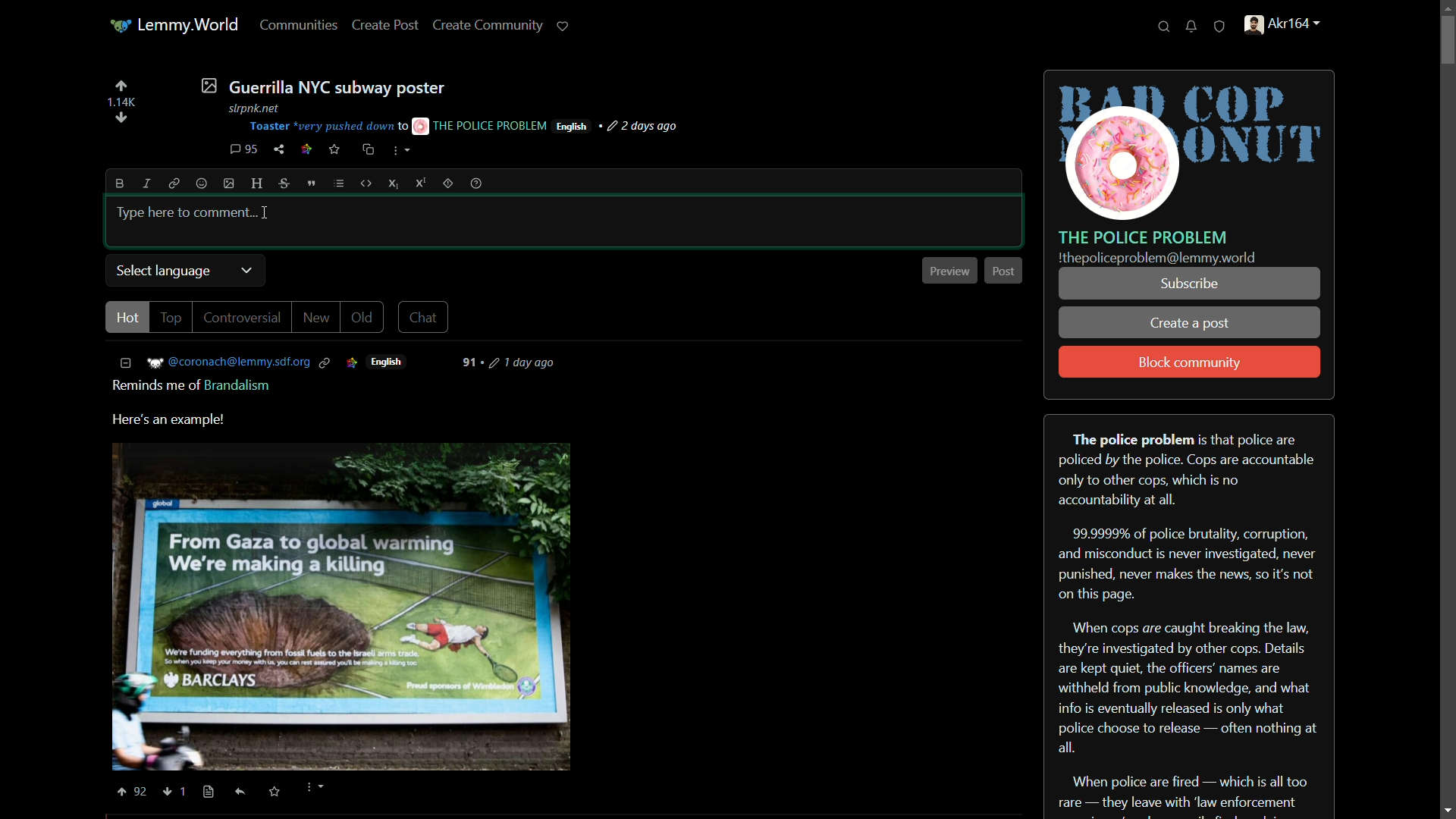 This screenshot has width=1456, height=819. I want to click on scroll bar, so click(1447, 414).